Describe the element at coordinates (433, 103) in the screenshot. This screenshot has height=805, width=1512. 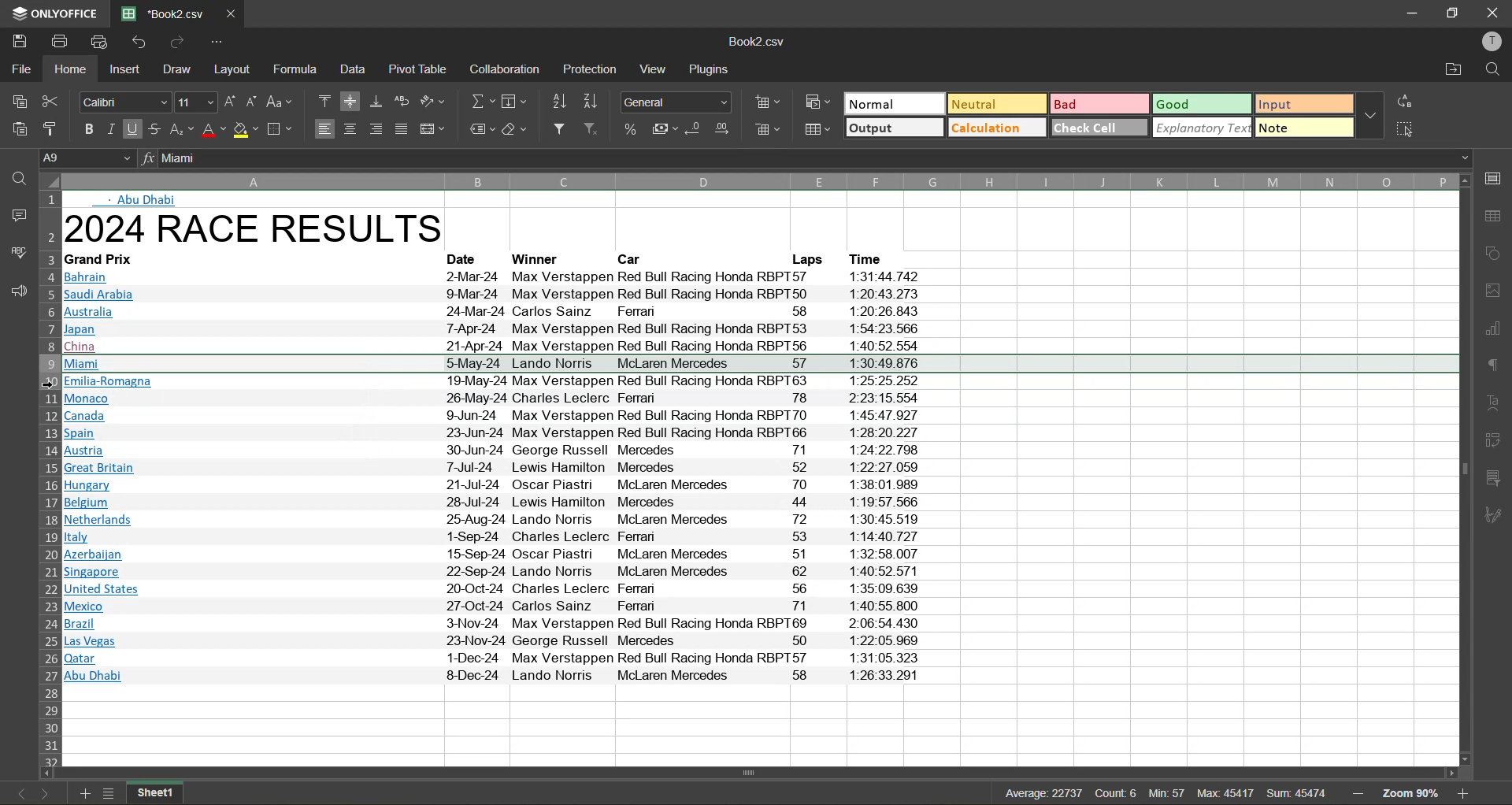
I see `orientation` at that location.